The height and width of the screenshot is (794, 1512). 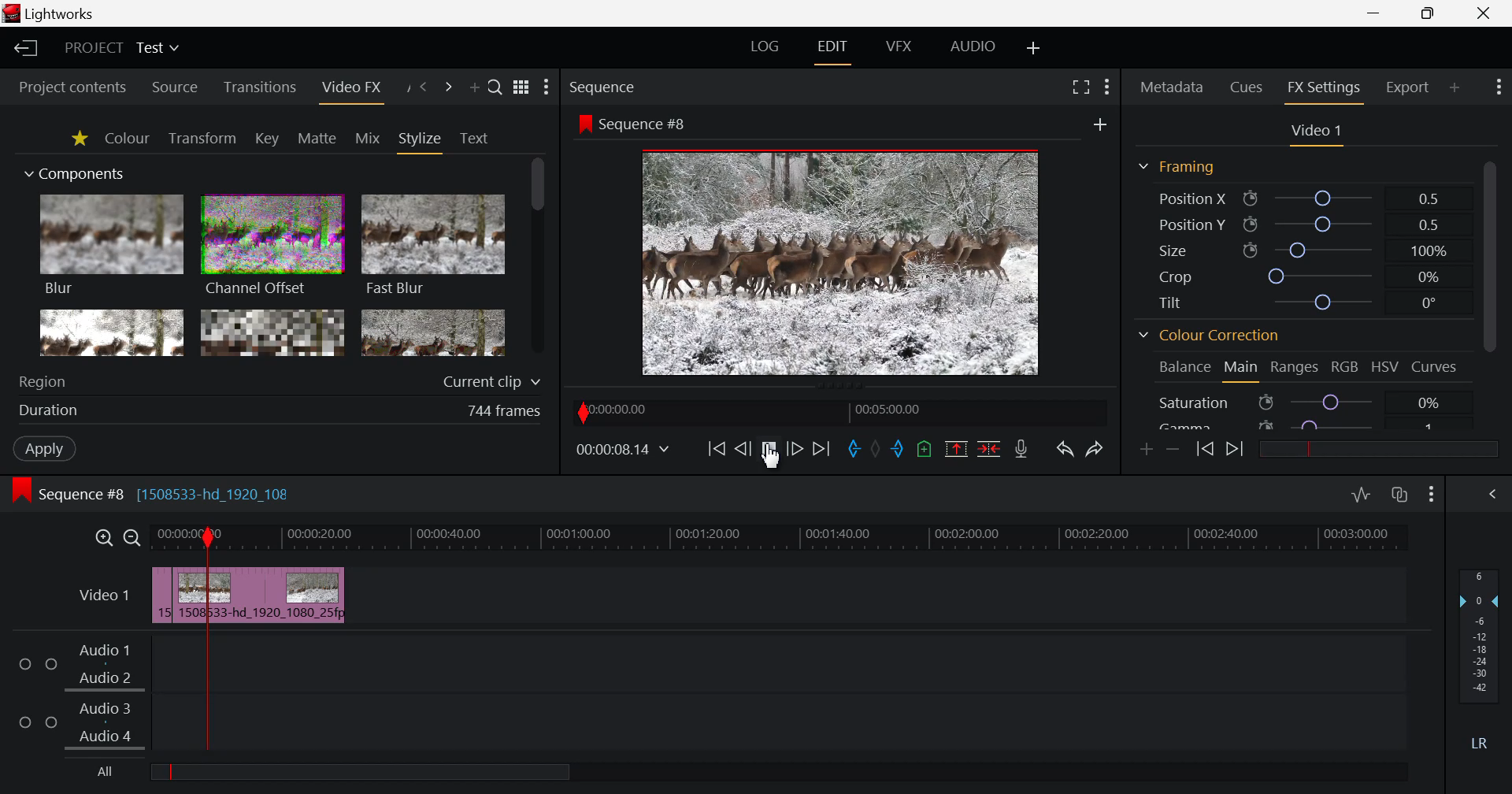 What do you see at coordinates (1295, 302) in the screenshot?
I see `Tilt` at bounding box center [1295, 302].